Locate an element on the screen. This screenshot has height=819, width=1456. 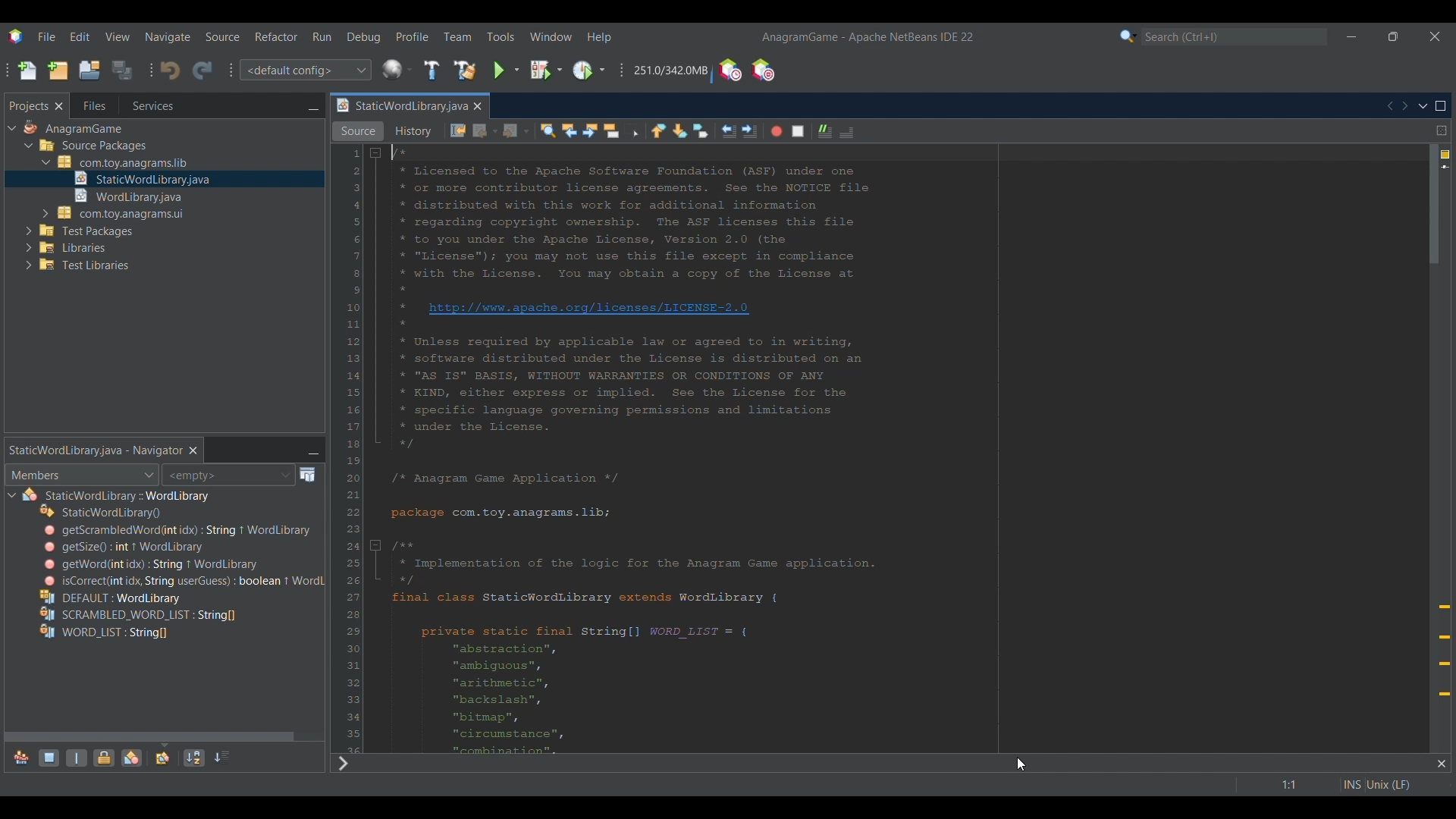
Show inherited members  is located at coordinates (21, 758).